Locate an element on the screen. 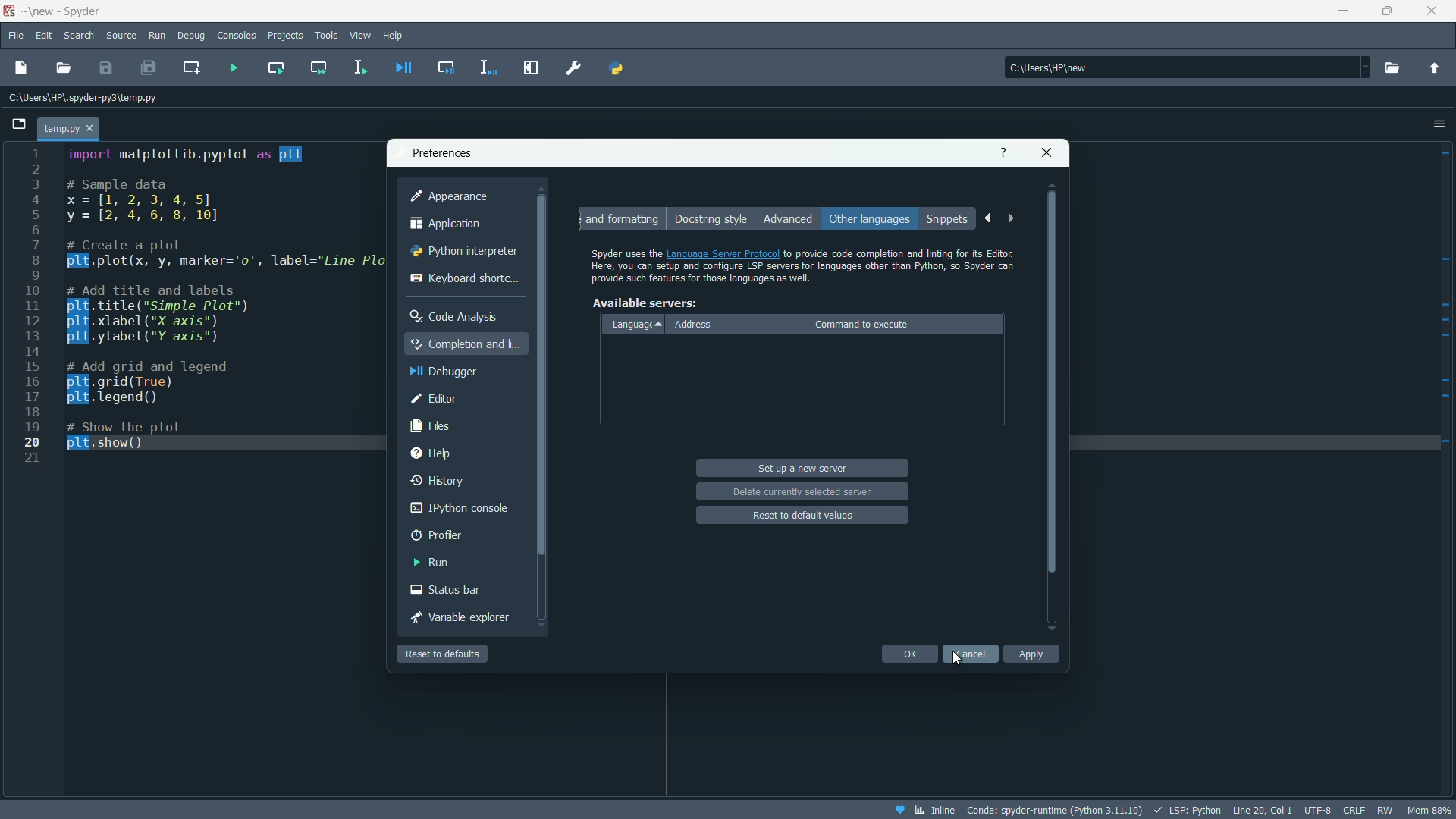  help is located at coordinates (1002, 152).